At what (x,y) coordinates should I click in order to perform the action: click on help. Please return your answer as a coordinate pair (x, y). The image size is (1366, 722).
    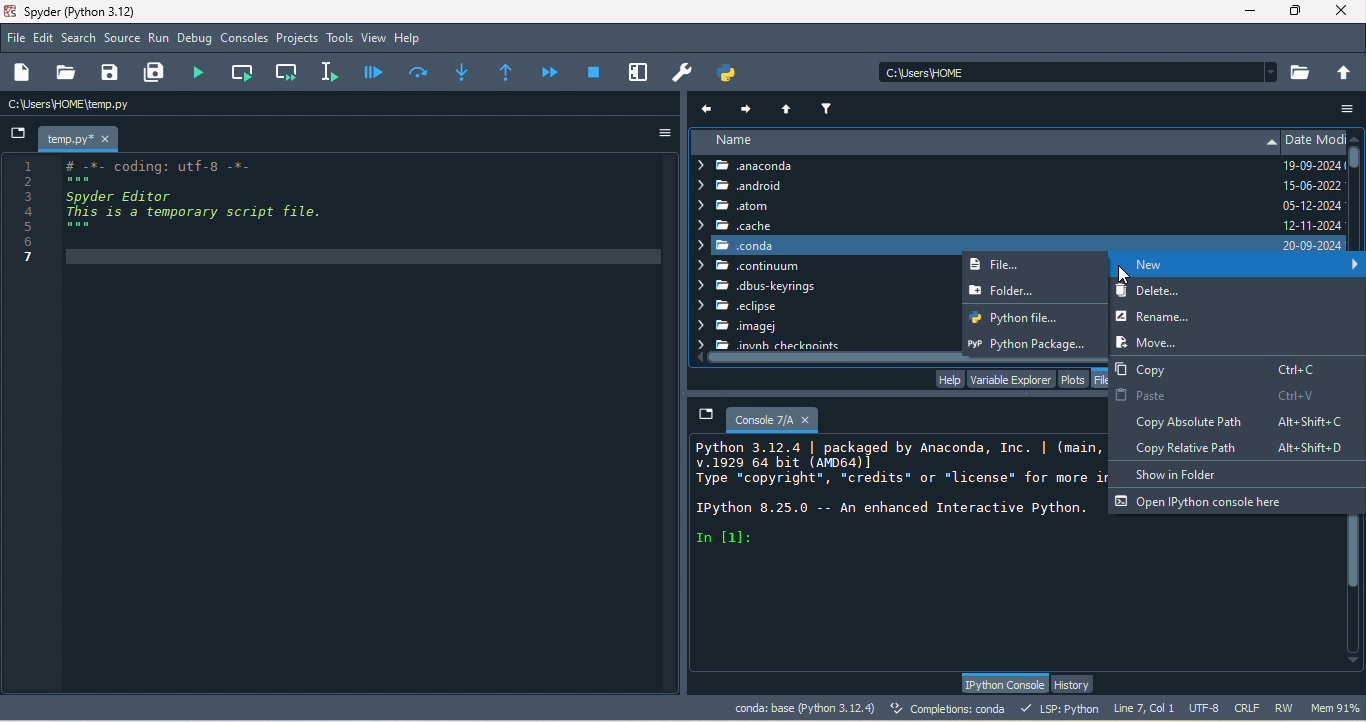
    Looking at the image, I should click on (948, 379).